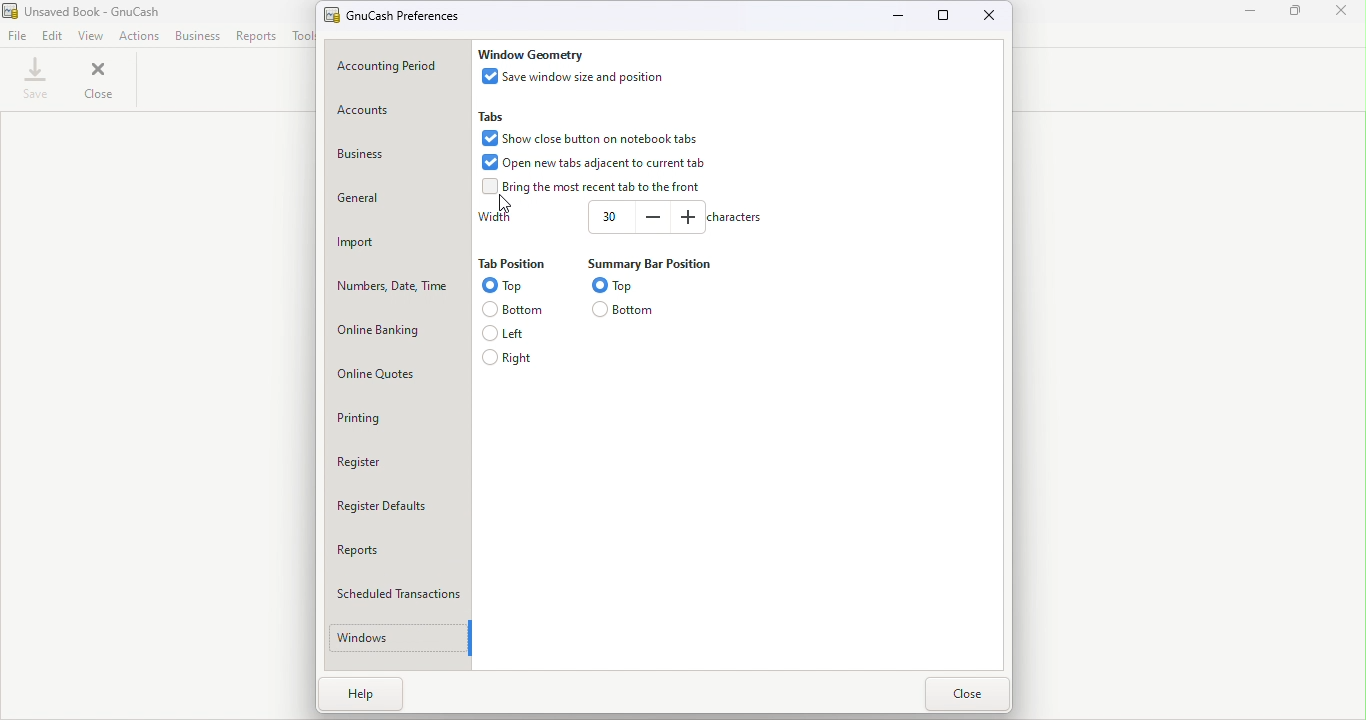 Image resolution: width=1366 pixels, height=720 pixels. What do you see at coordinates (395, 67) in the screenshot?
I see `Accounting period` at bounding box center [395, 67].